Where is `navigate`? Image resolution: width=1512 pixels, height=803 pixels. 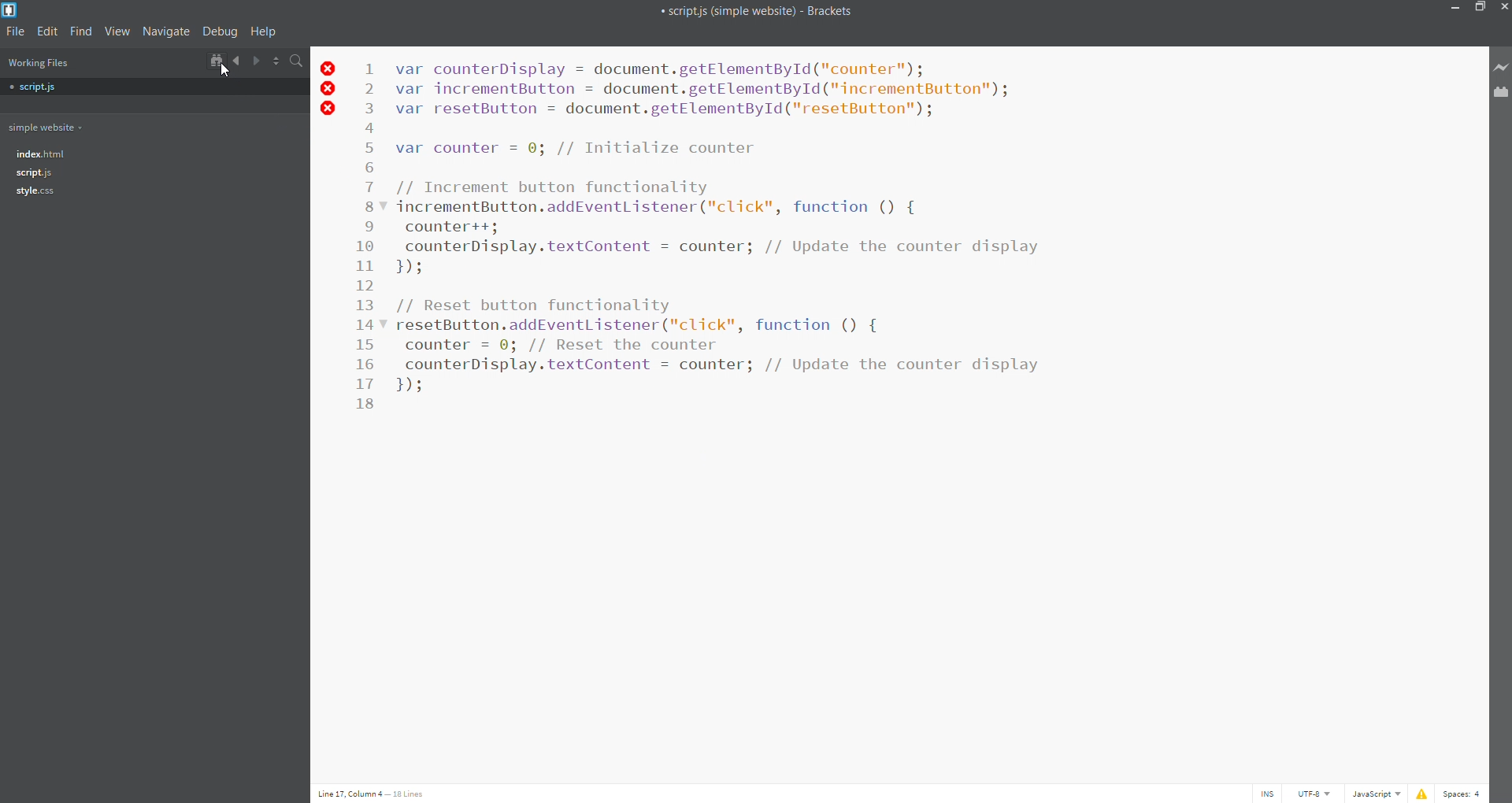 navigate is located at coordinates (166, 32).